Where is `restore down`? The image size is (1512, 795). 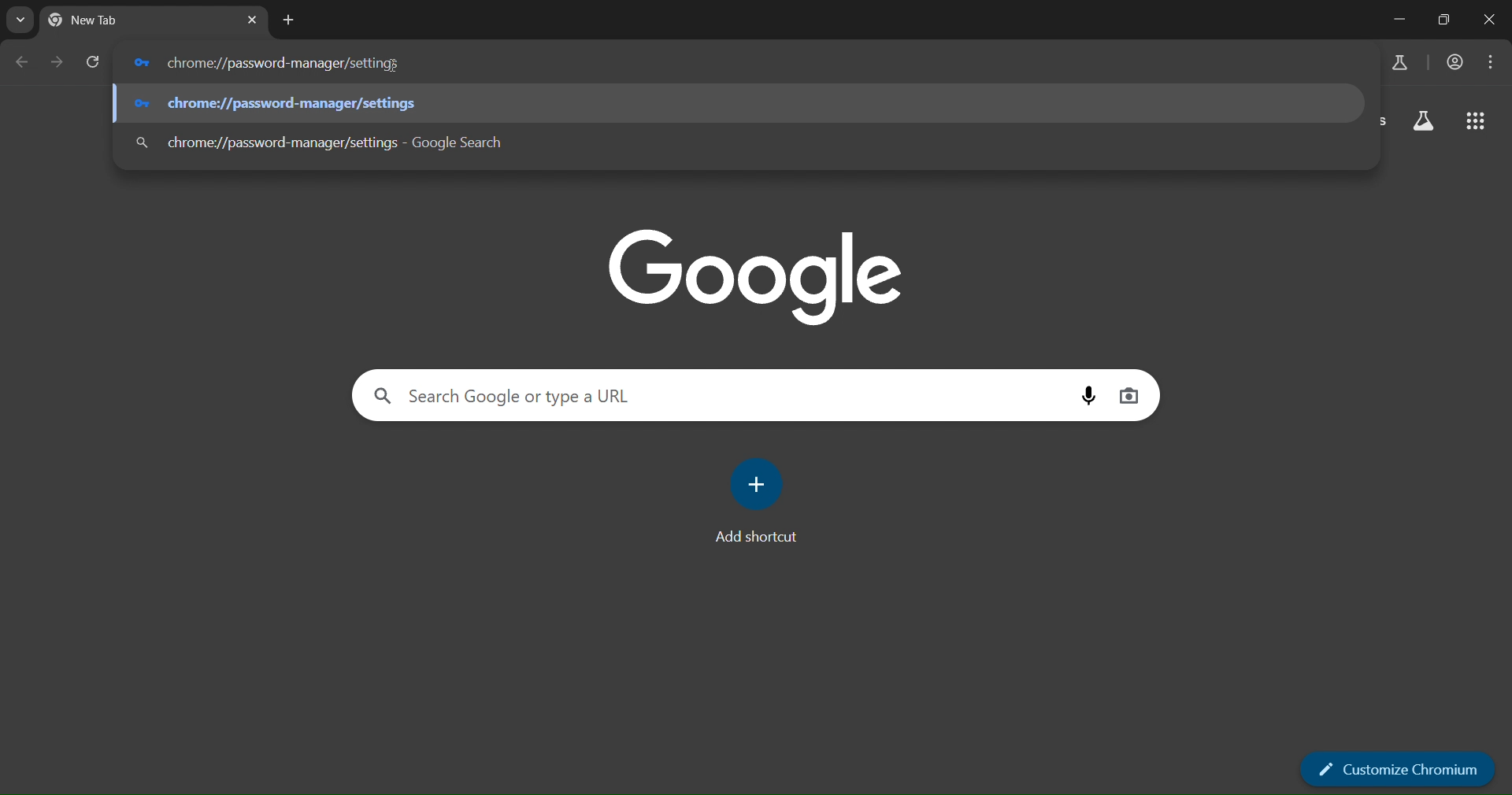
restore down is located at coordinates (1443, 20).